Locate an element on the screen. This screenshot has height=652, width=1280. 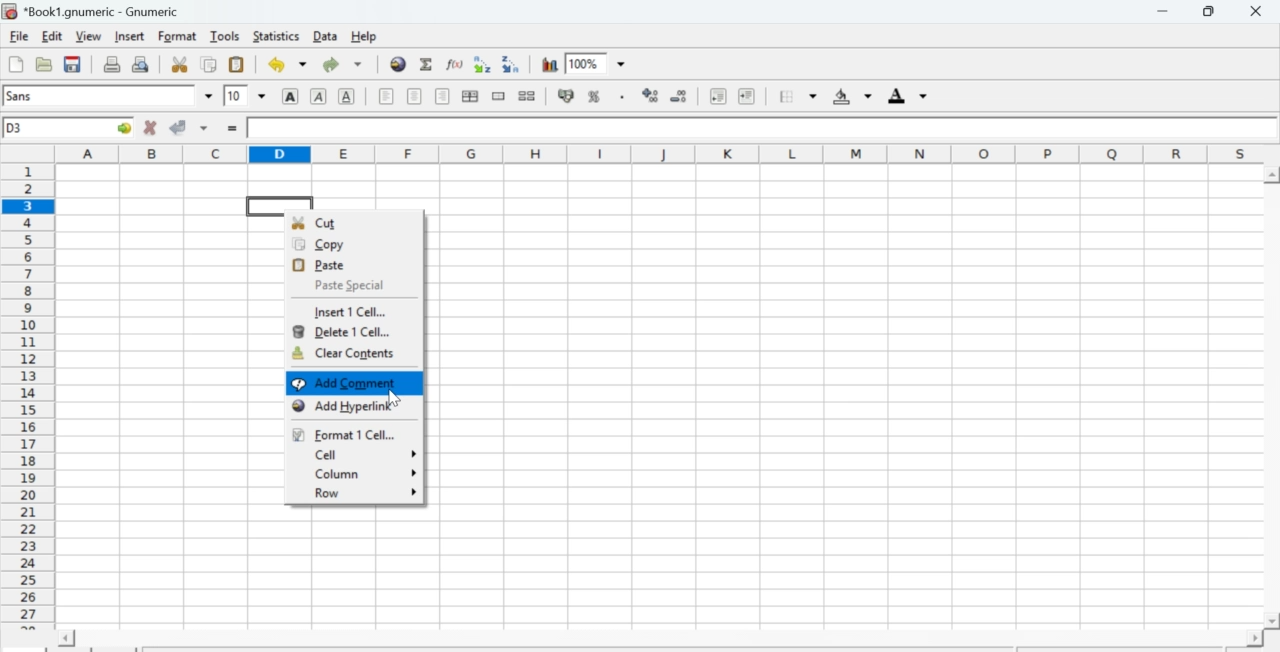
Decrease number of decimals is located at coordinates (678, 96).